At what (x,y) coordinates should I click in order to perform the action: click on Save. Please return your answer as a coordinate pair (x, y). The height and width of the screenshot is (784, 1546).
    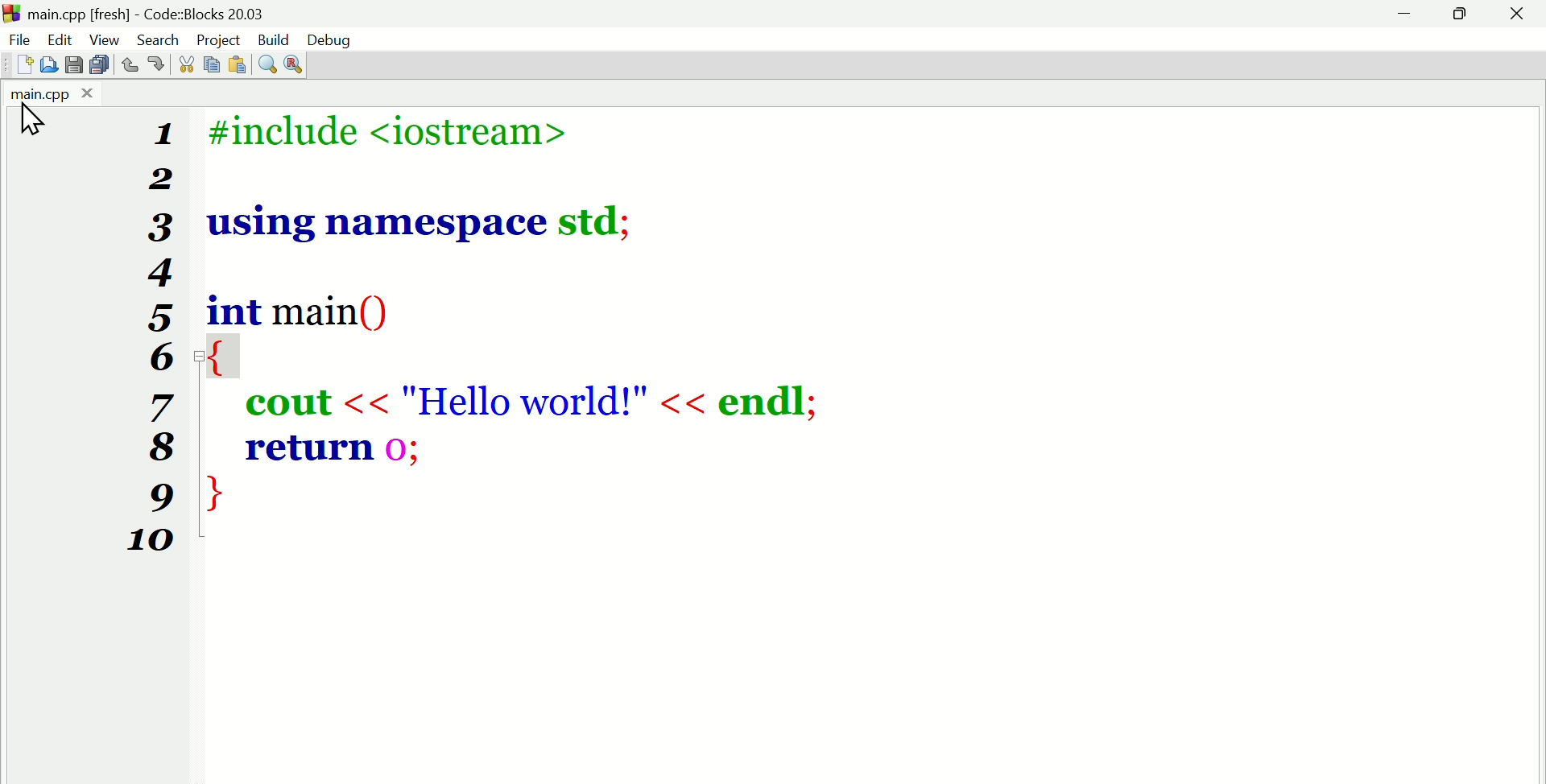
    Looking at the image, I should click on (72, 65).